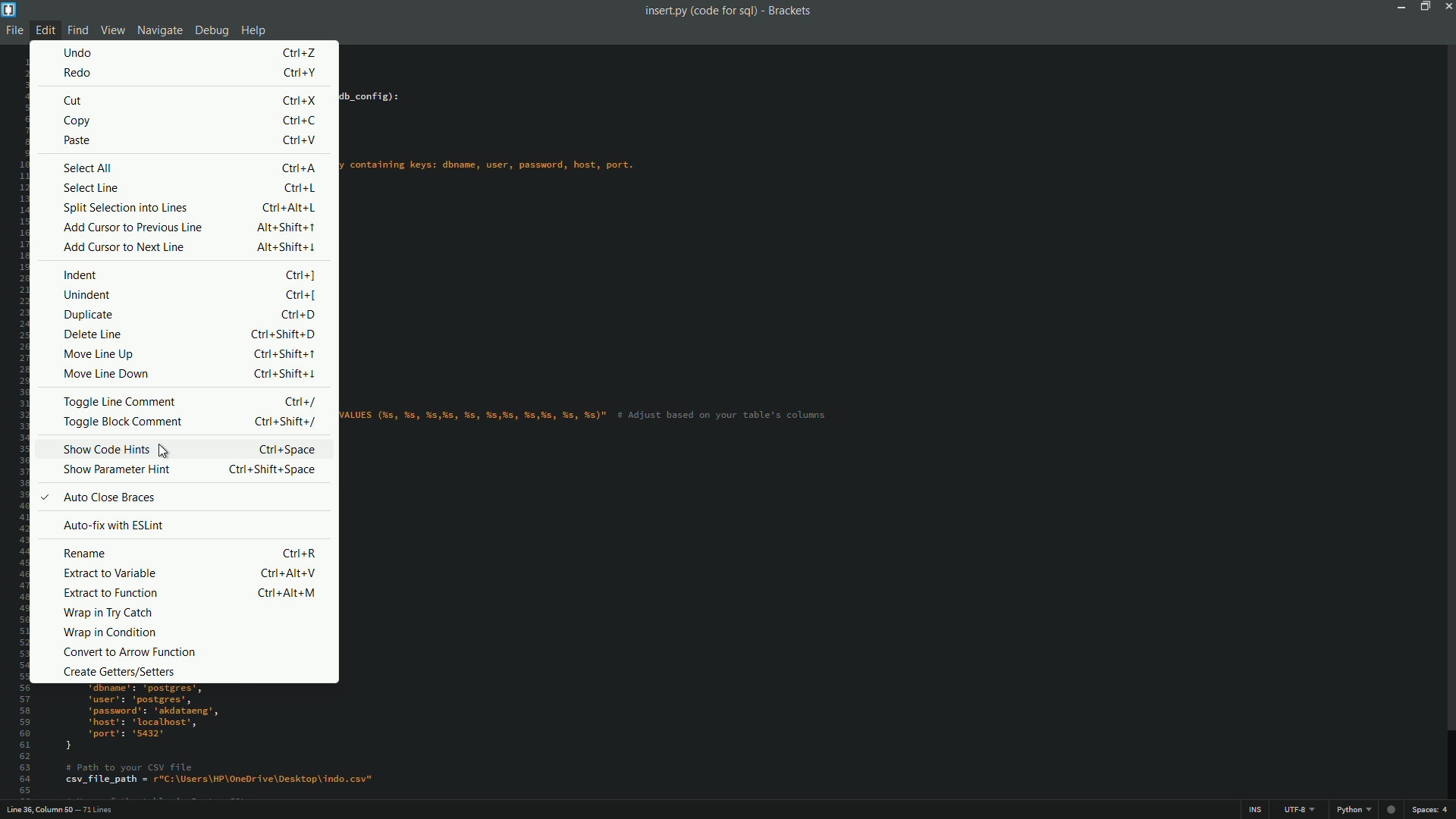 This screenshot has width=1456, height=819. What do you see at coordinates (1353, 810) in the screenshot?
I see `python` at bounding box center [1353, 810].